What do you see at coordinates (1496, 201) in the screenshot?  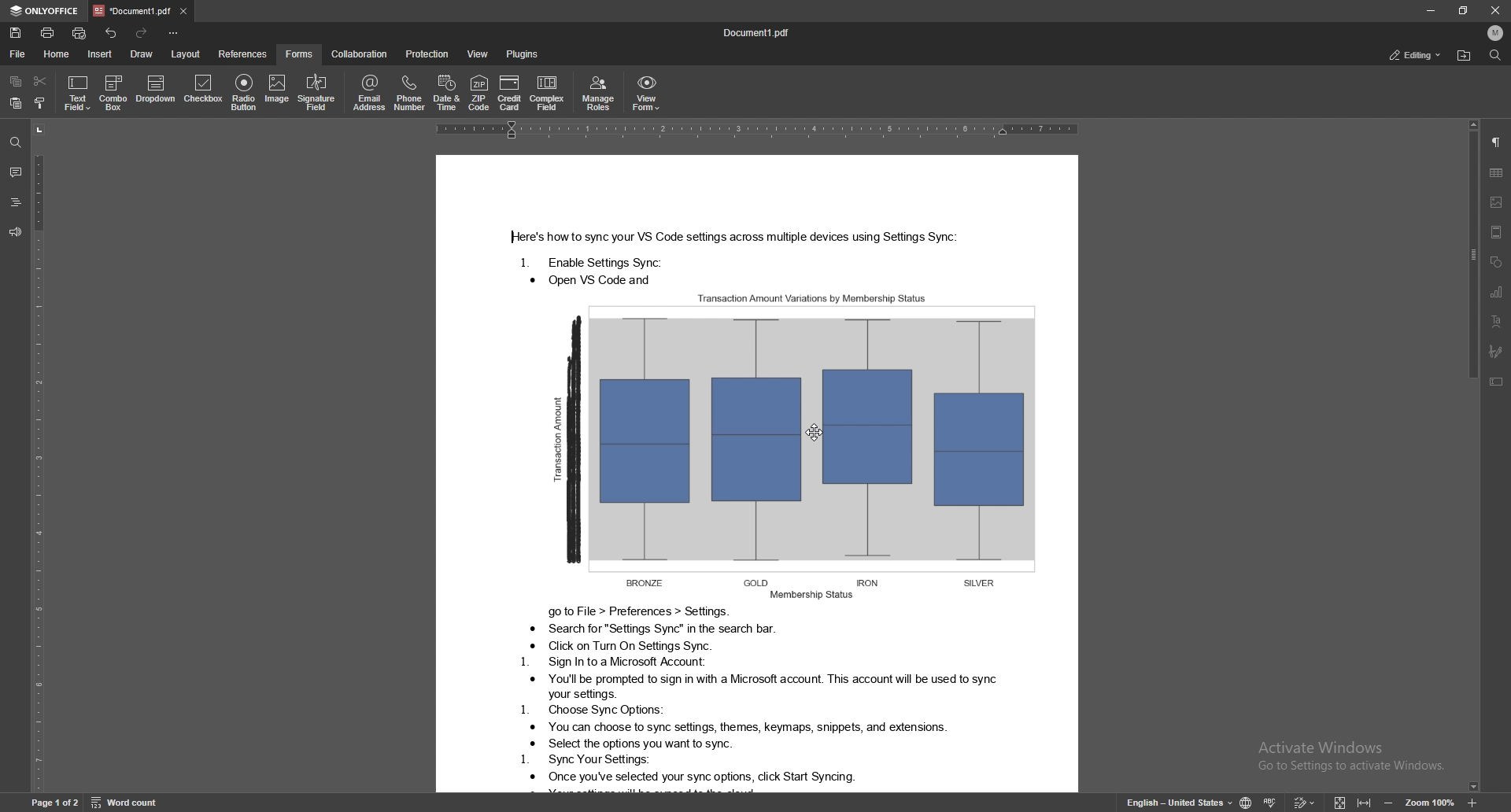 I see `image` at bounding box center [1496, 201].